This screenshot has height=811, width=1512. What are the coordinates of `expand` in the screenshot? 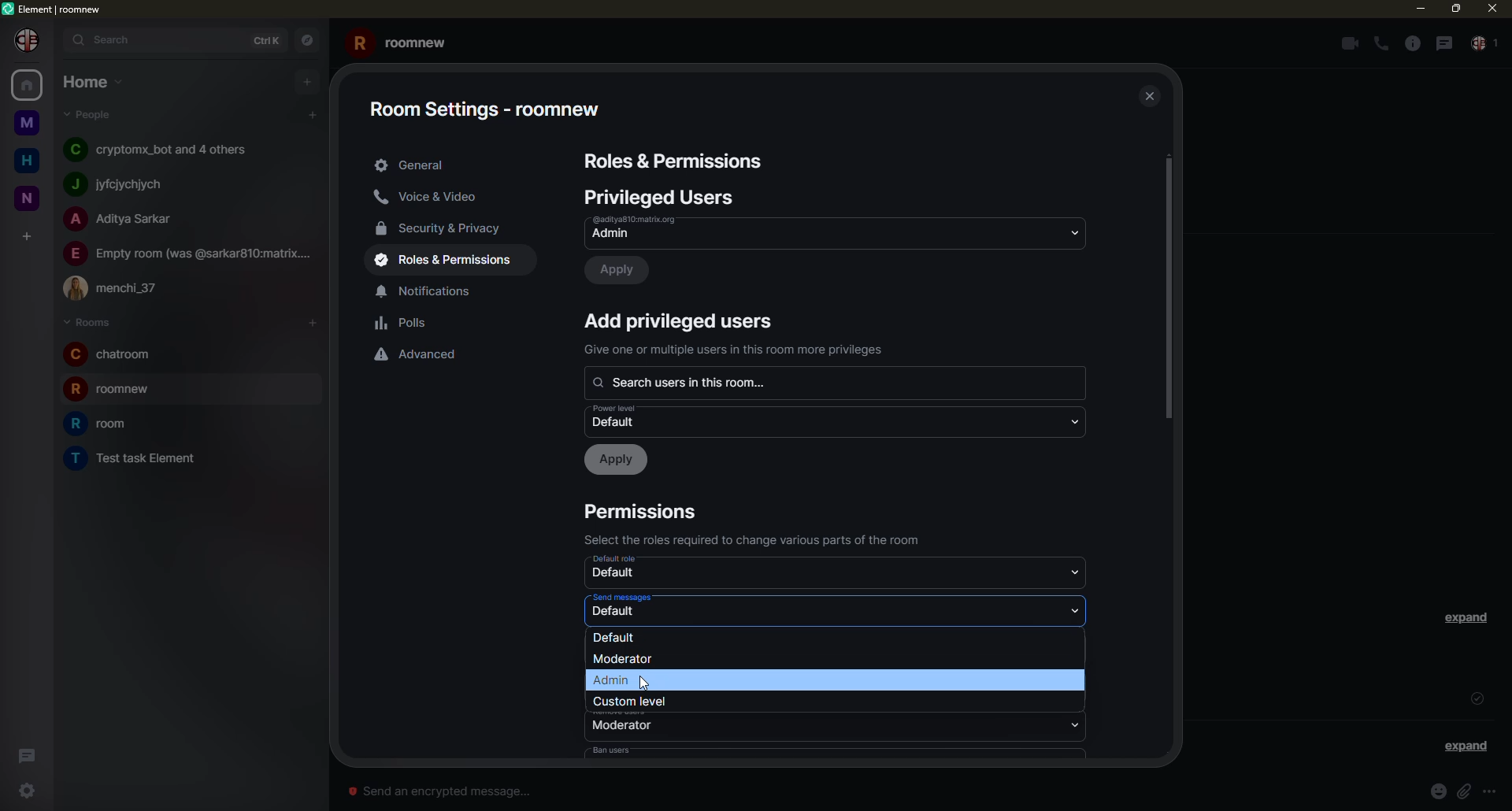 It's located at (1466, 746).